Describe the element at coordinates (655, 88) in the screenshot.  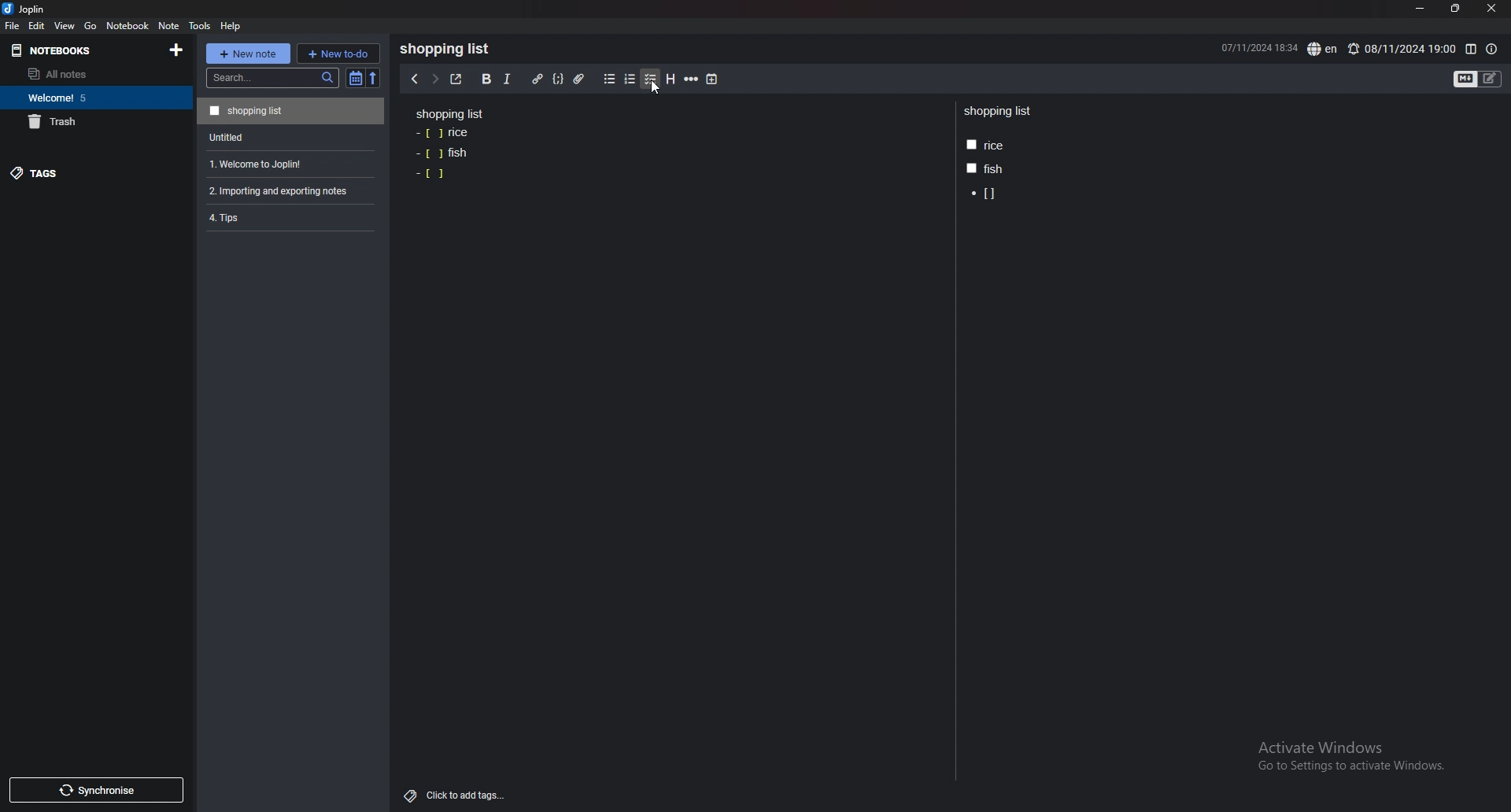
I see `cursor` at that location.